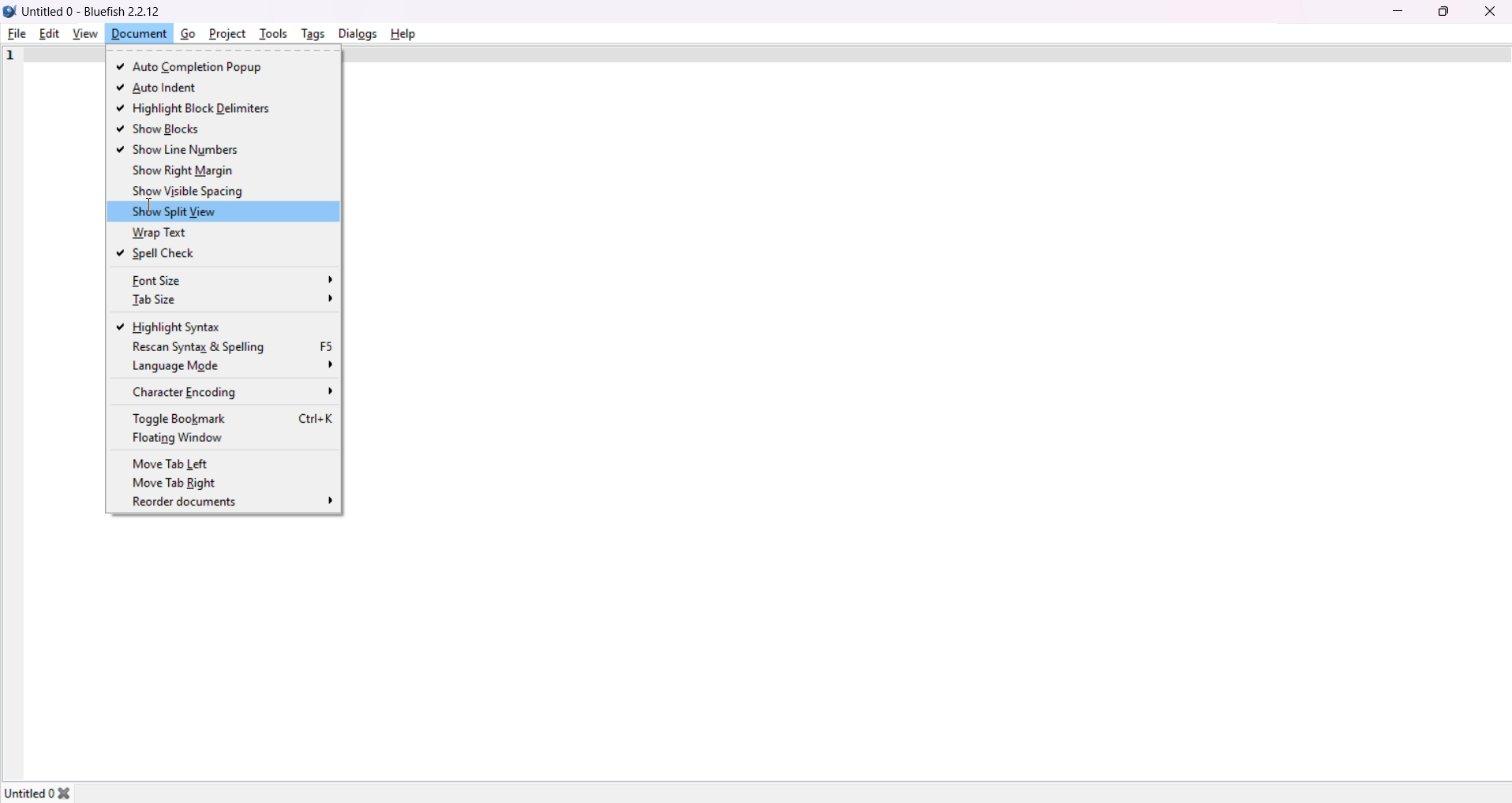 This screenshot has width=1512, height=803. What do you see at coordinates (234, 365) in the screenshot?
I see `language mode` at bounding box center [234, 365].